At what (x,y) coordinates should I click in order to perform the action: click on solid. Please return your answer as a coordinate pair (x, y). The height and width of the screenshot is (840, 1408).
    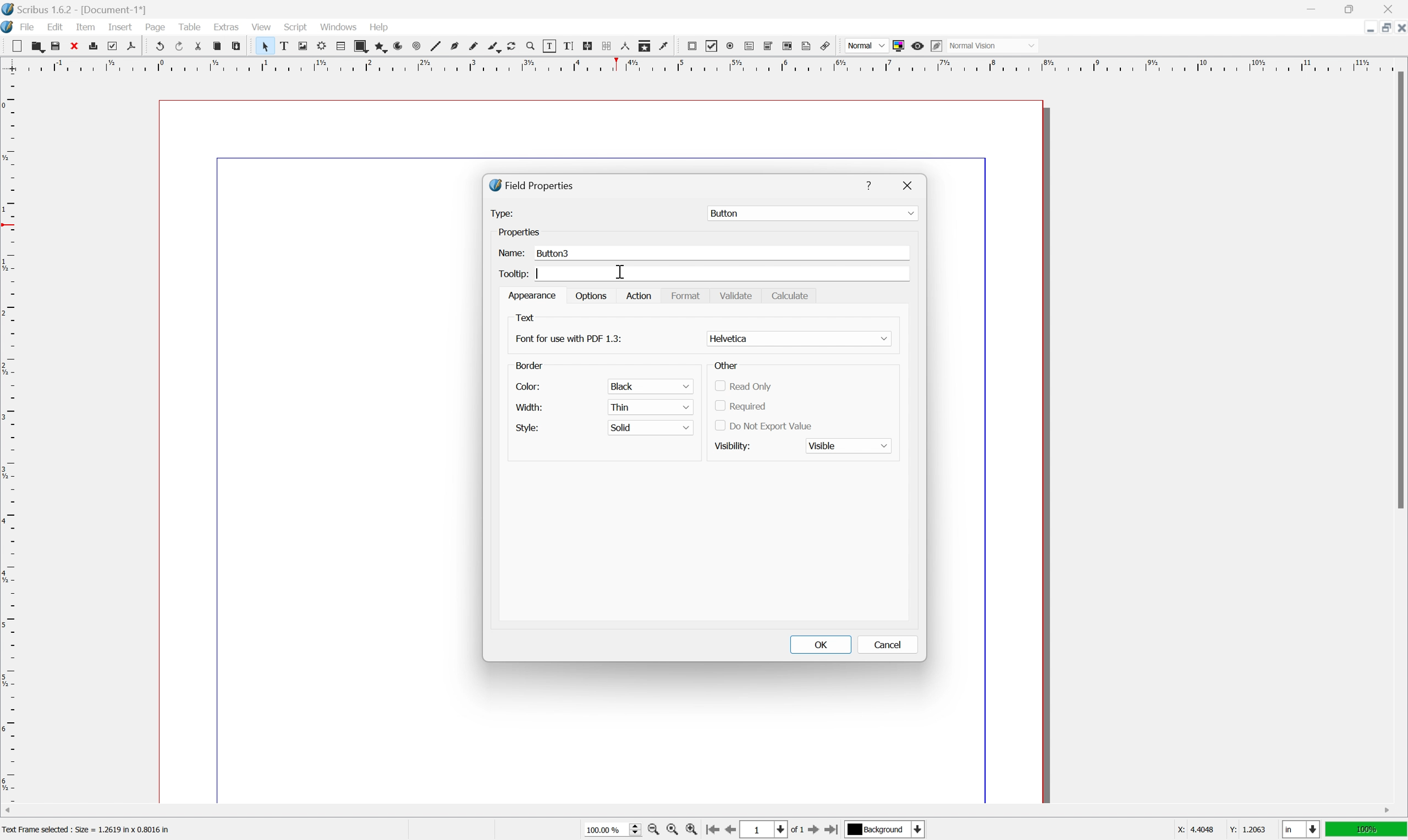
    Looking at the image, I should click on (650, 428).